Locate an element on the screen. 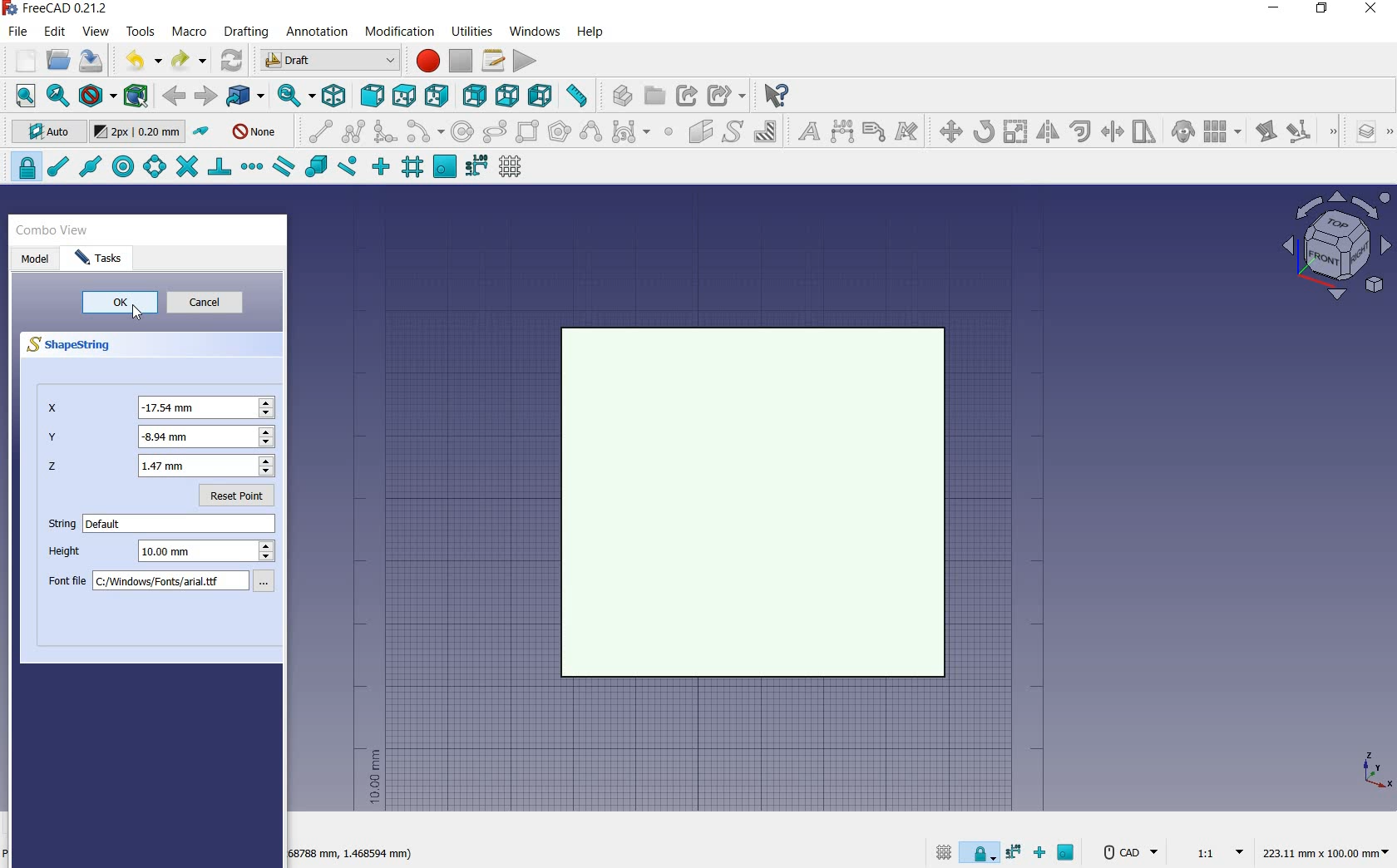  arc tools is located at coordinates (425, 132).